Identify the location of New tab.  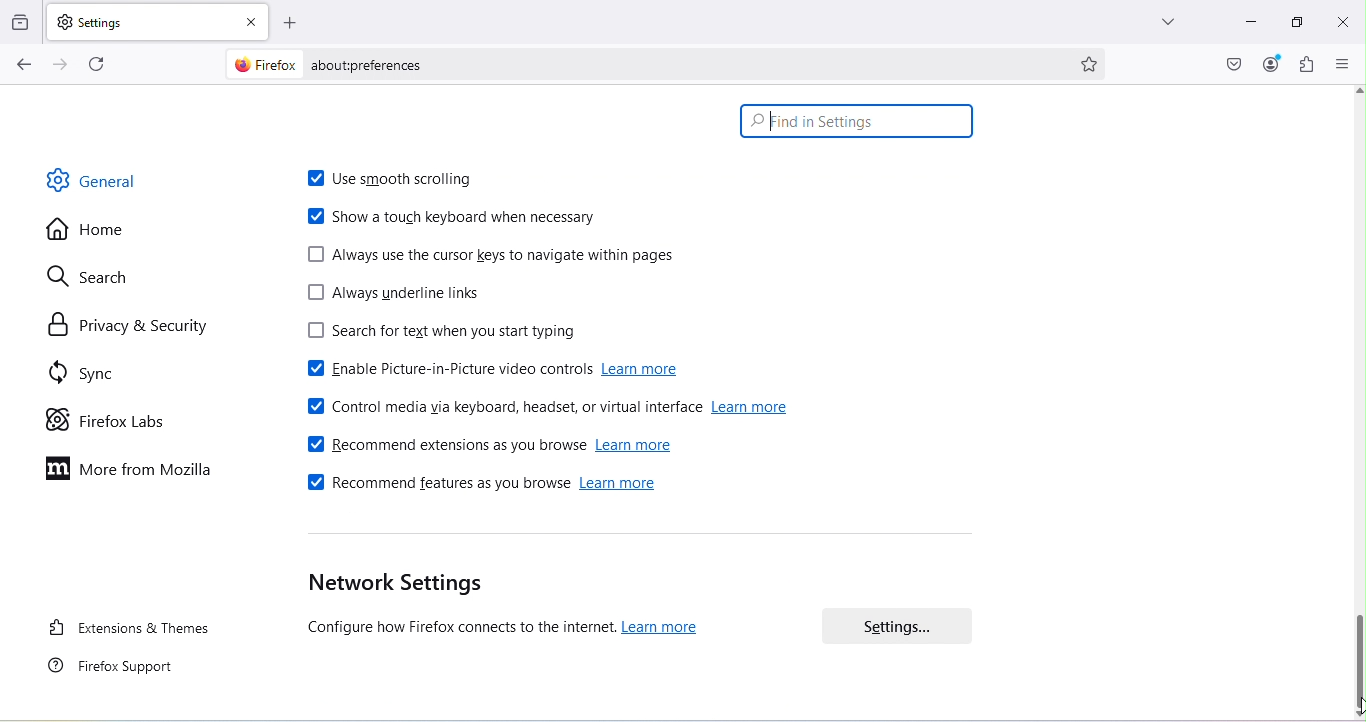
(142, 21).